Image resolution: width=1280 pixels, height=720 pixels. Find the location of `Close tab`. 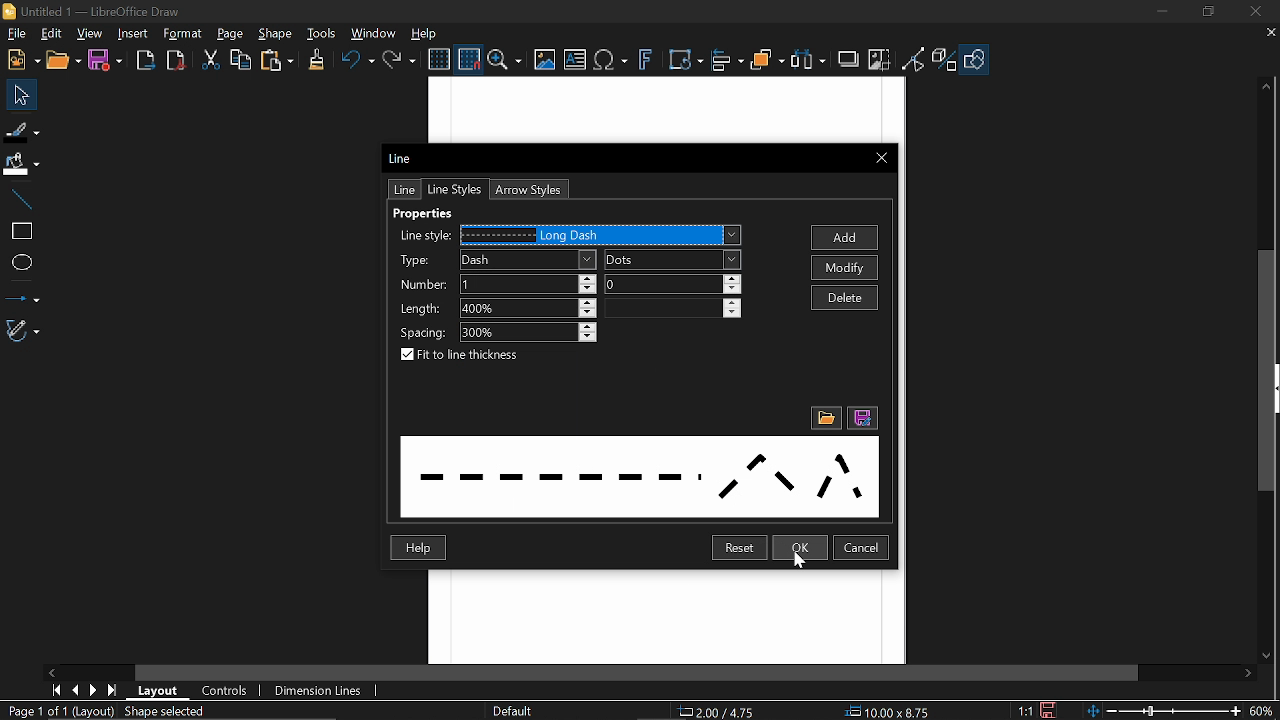

Close tab is located at coordinates (1270, 32).